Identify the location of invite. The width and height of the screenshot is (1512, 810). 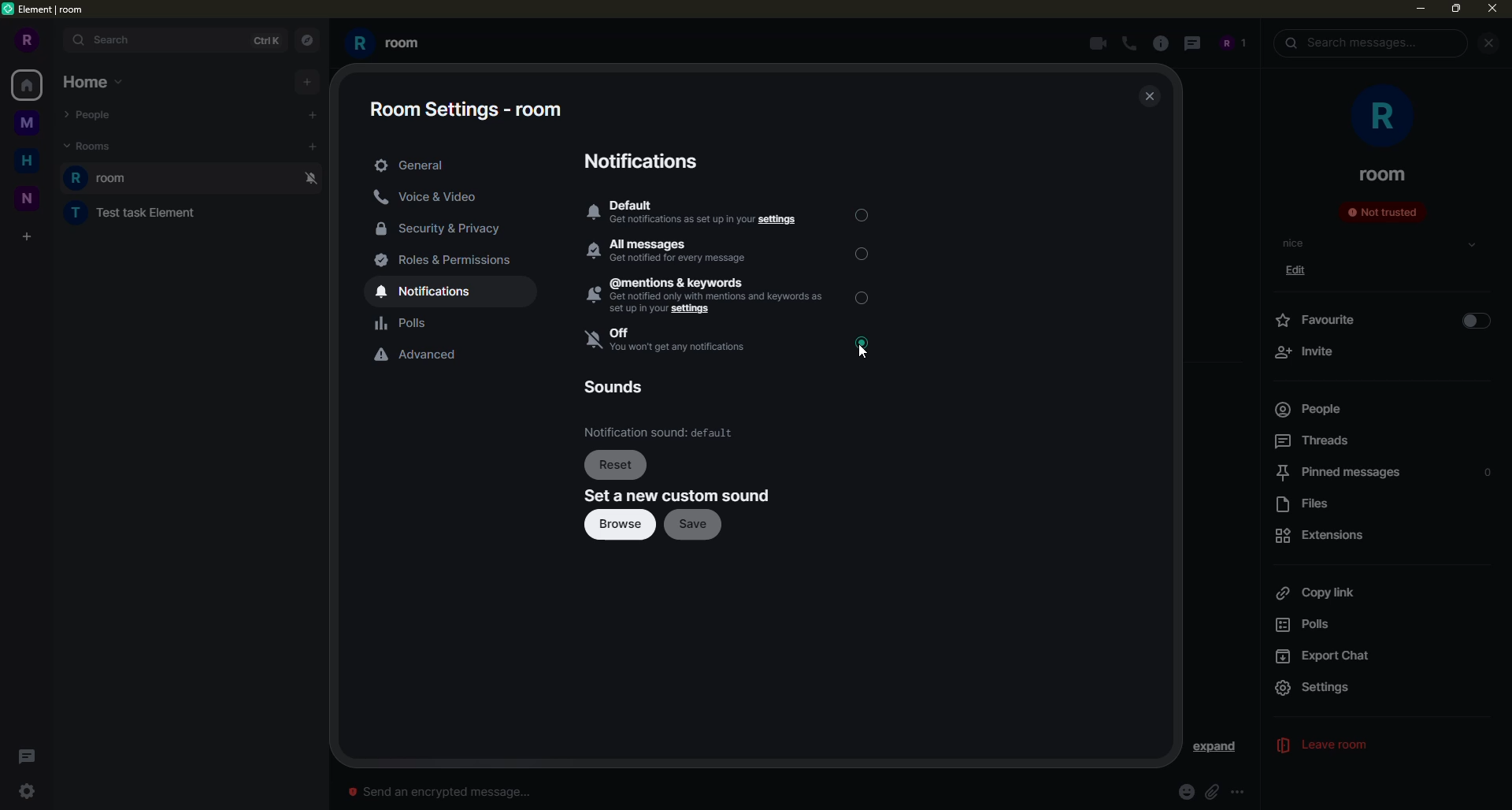
(1304, 351).